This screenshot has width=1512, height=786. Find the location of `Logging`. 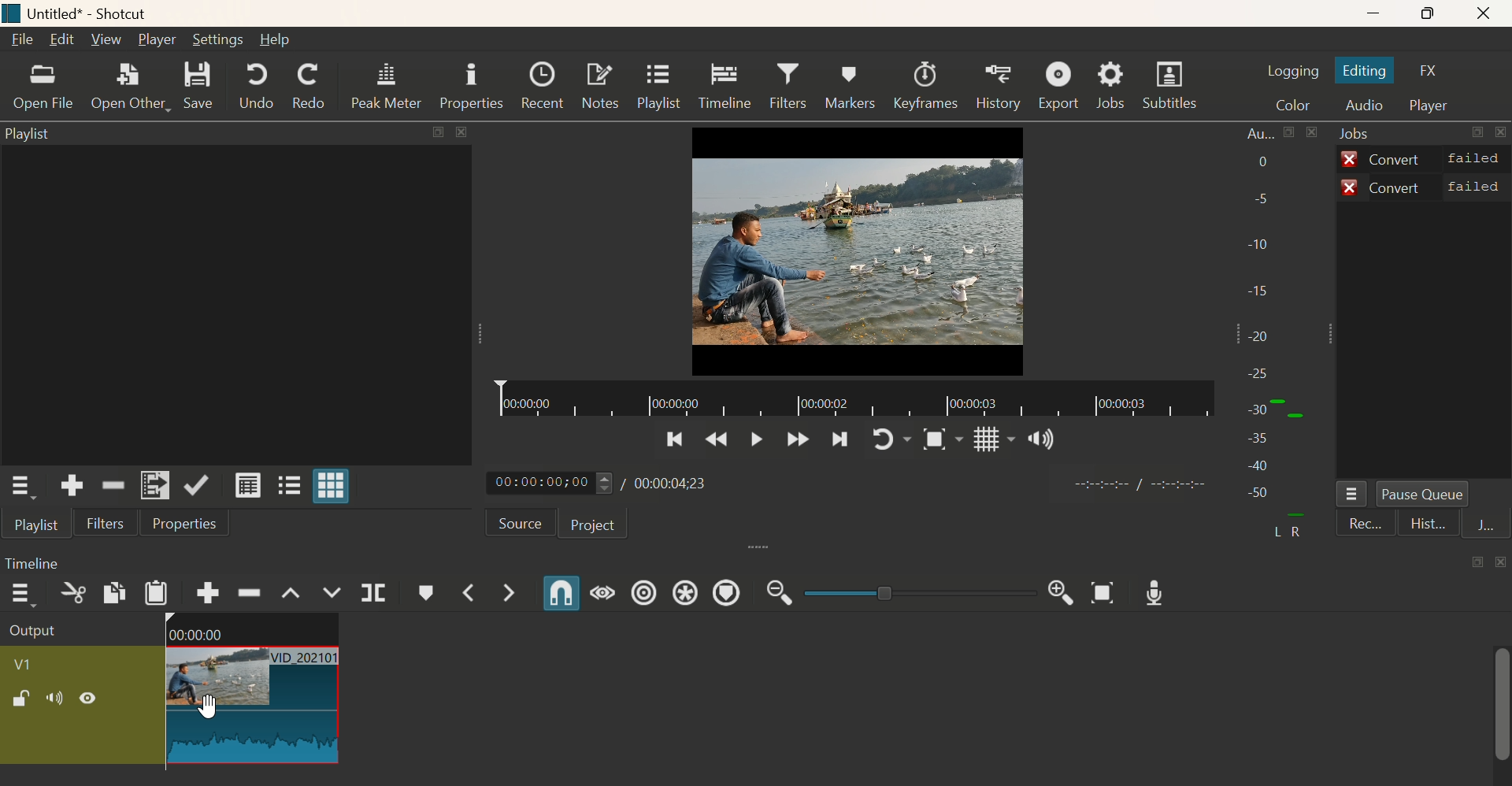

Logging is located at coordinates (1292, 69).